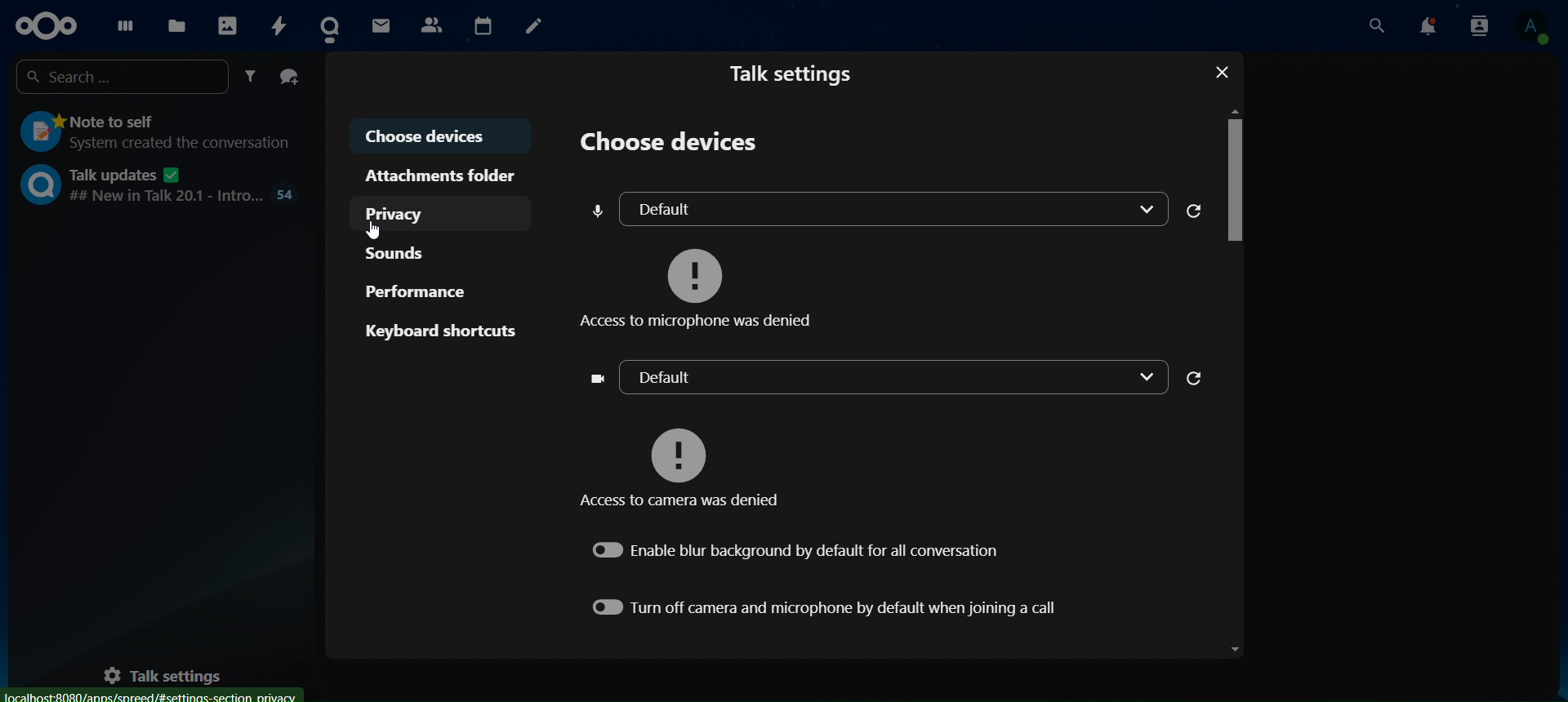 This screenshot has width=1568, height=702. What do you see at coordinates (437, 174) in the screenshot?
I see `attachments folder` at bounding box center [437, 174].